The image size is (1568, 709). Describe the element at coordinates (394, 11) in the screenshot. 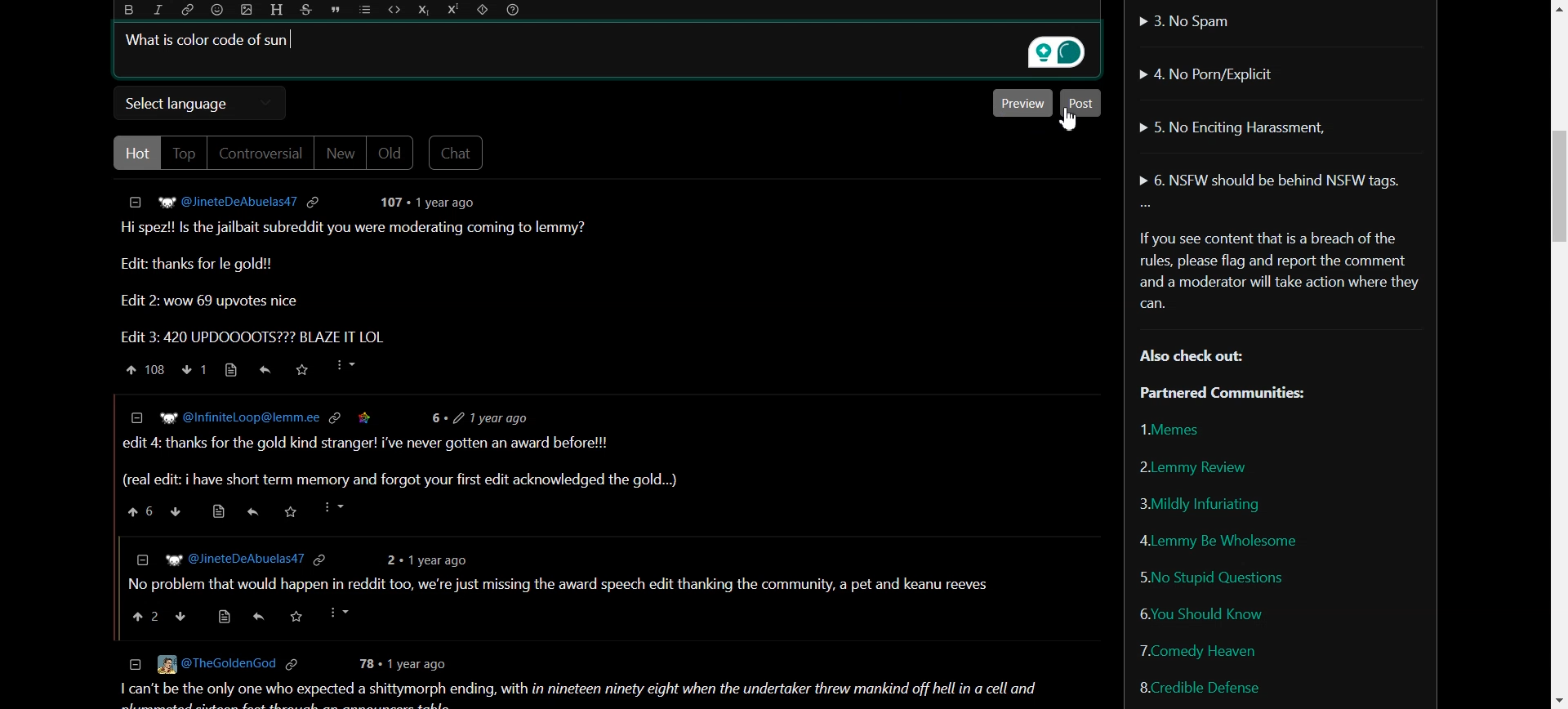

I see `Code` at that location.